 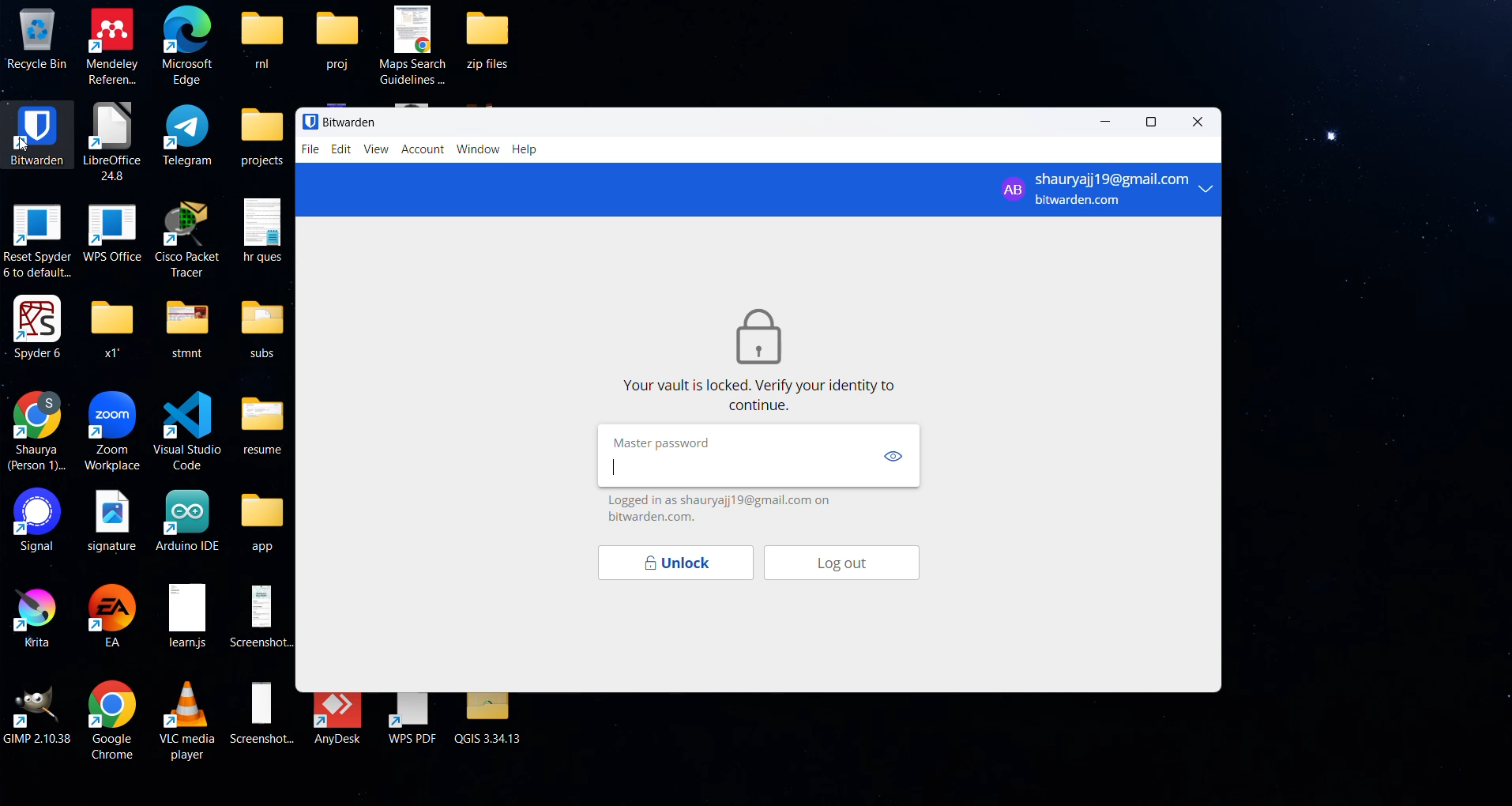 What do you see at coordinates (114, 616) in the screenshot?
I see `EA` at bounding box center [114, 616].